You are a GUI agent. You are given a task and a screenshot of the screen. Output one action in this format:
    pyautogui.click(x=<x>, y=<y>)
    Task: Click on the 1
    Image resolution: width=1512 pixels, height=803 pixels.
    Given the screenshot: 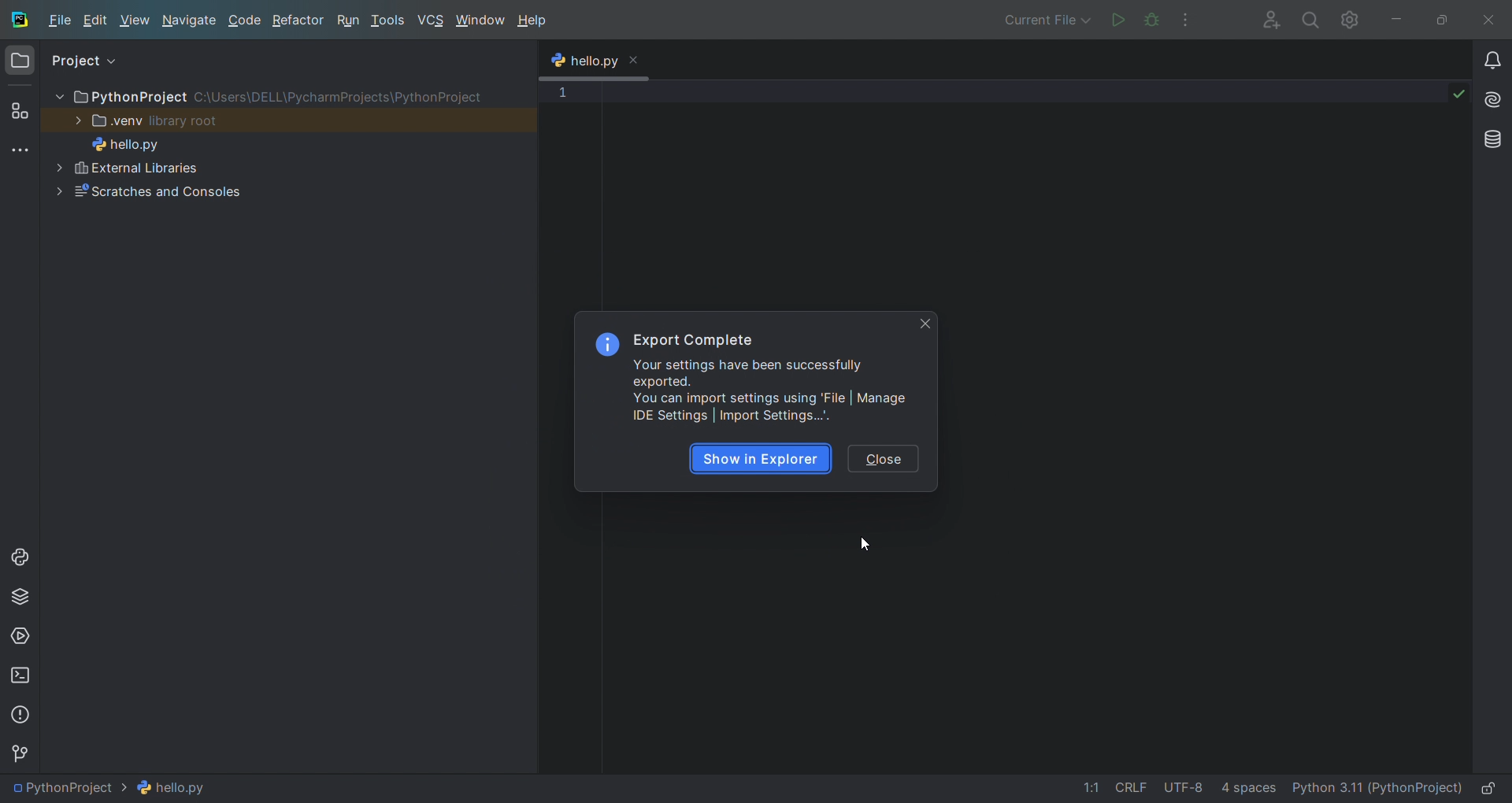 What is the action you would take?
    pyautogui.click(x=561, y=93)
    